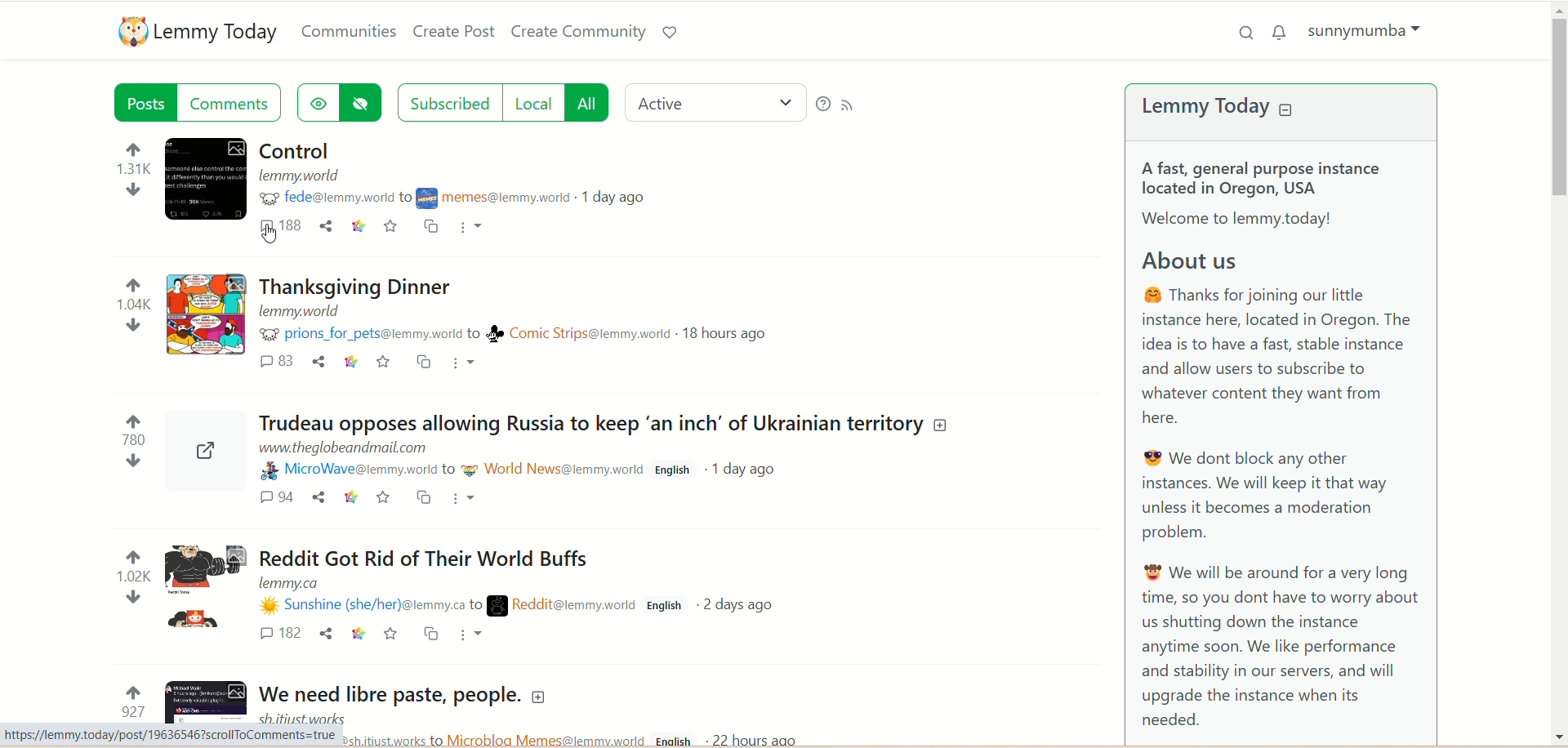  What do you see at coordinates (1375, 36) in the screenshot?
I see `sunnymumba(account)` at bounding box center [1375, 36].